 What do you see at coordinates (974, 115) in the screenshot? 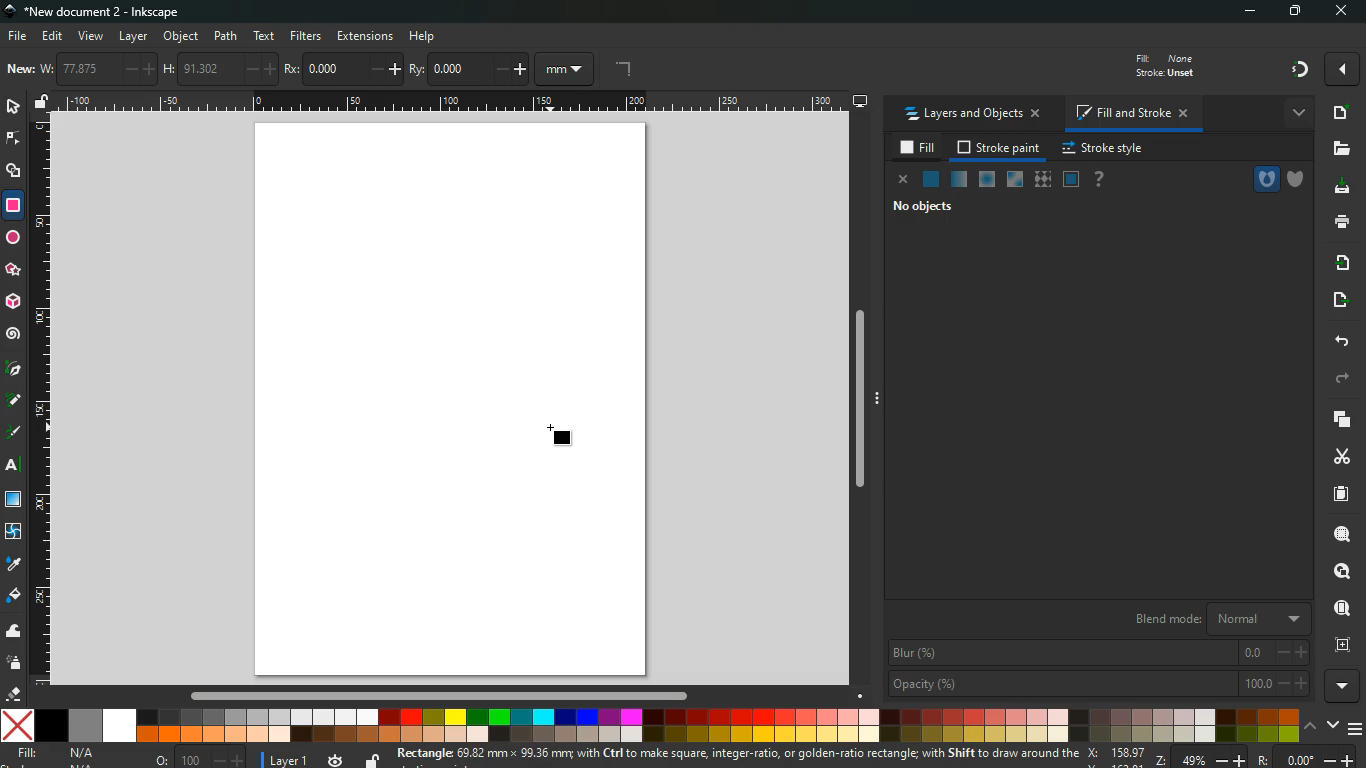
I see `layers and objects` at bounding box center [974, 115].